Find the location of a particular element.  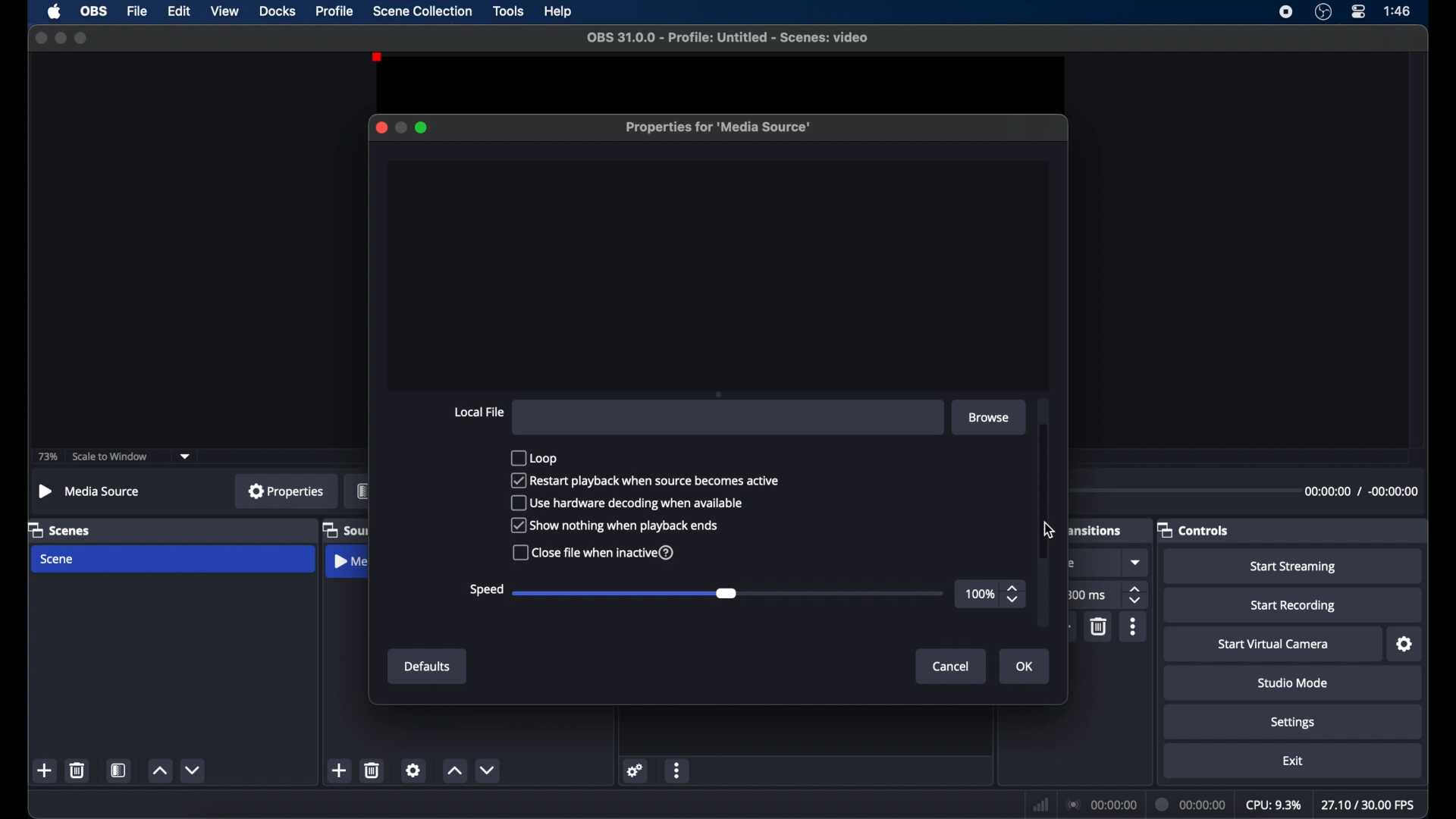

delete is located at coordinates (372, 770).